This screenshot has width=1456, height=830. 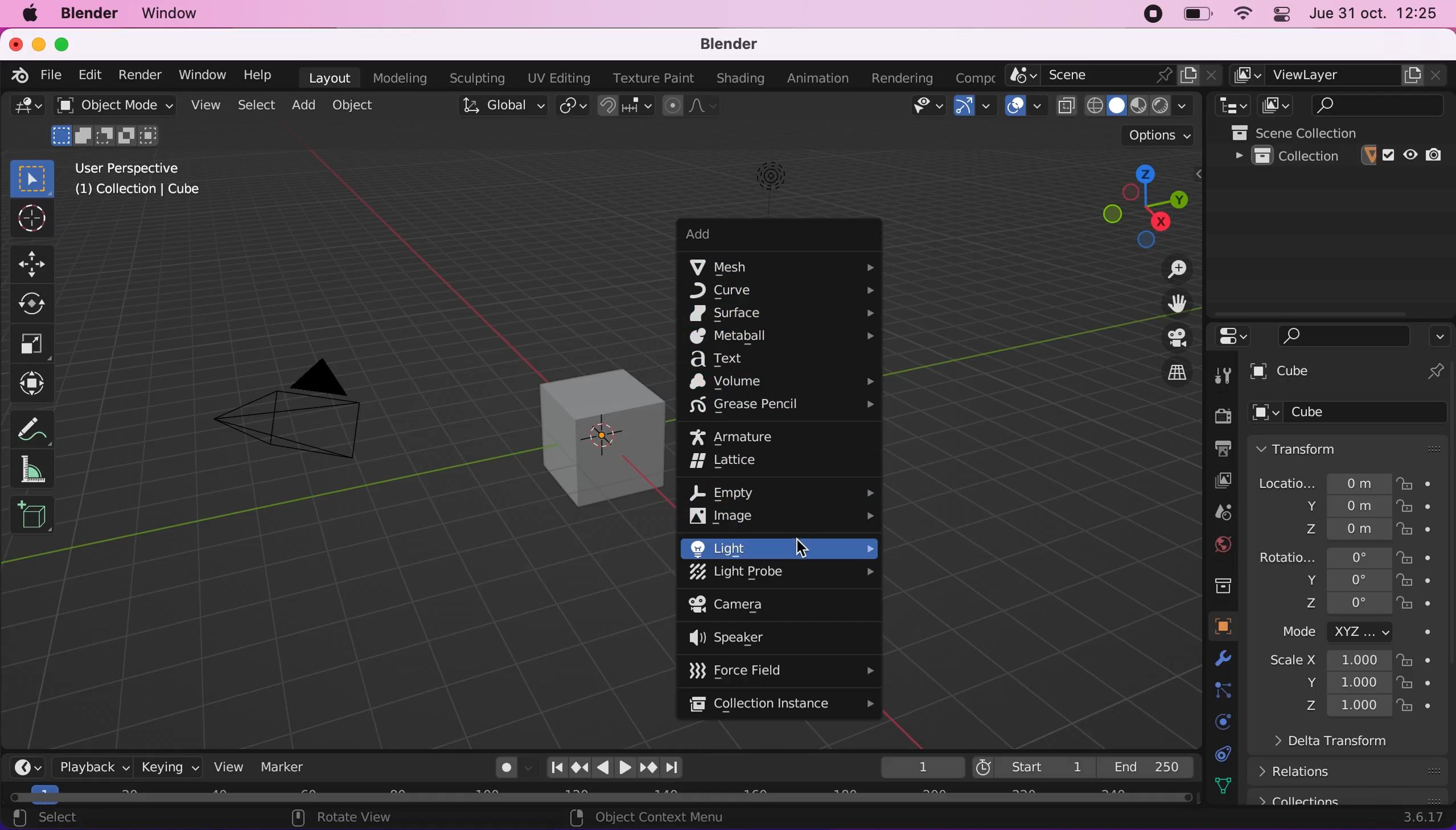 What do you see at coordinates (785, 489) in the screenshot?
I see `empty` at bounding box center [785, 489].